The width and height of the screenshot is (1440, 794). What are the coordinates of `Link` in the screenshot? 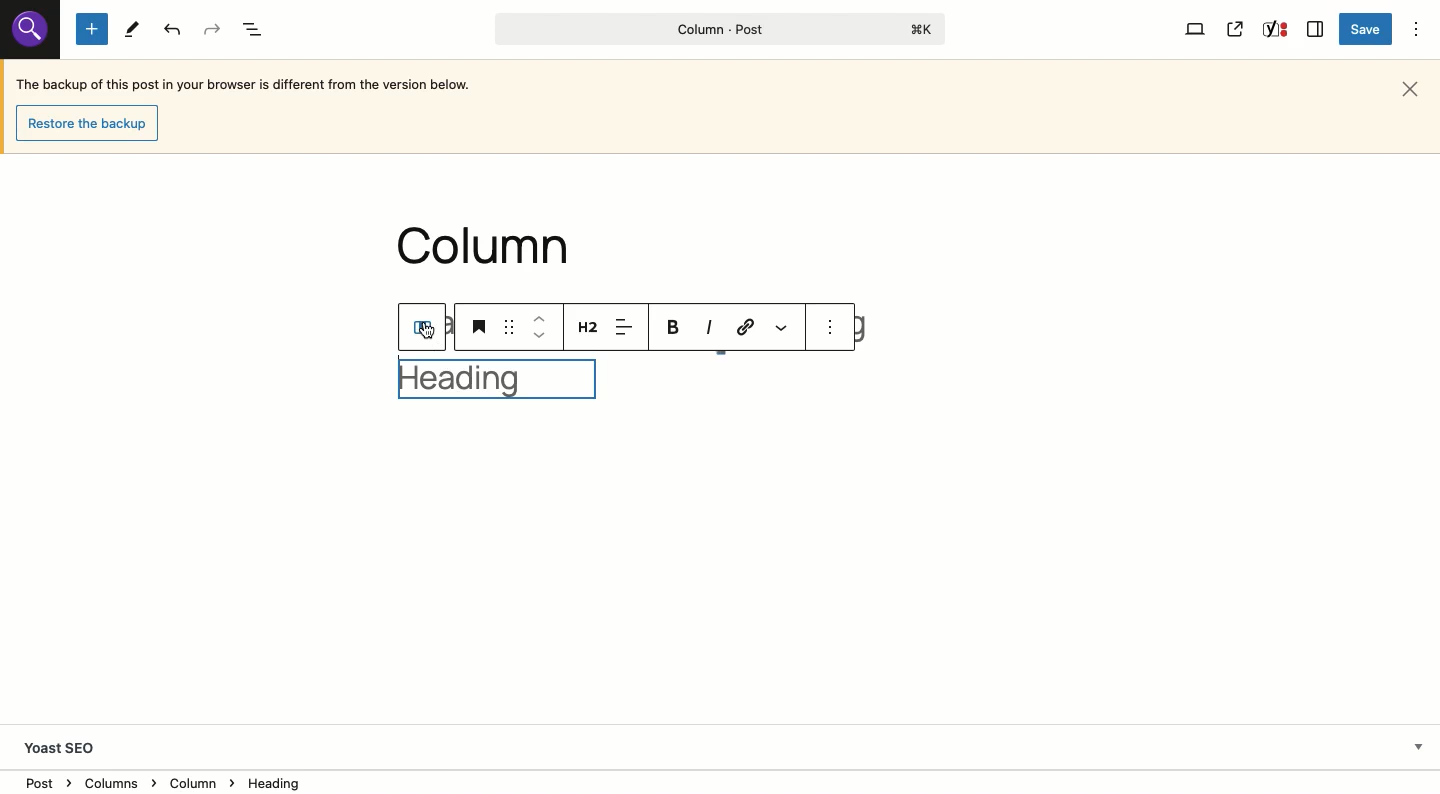 It's located at (747, 326).